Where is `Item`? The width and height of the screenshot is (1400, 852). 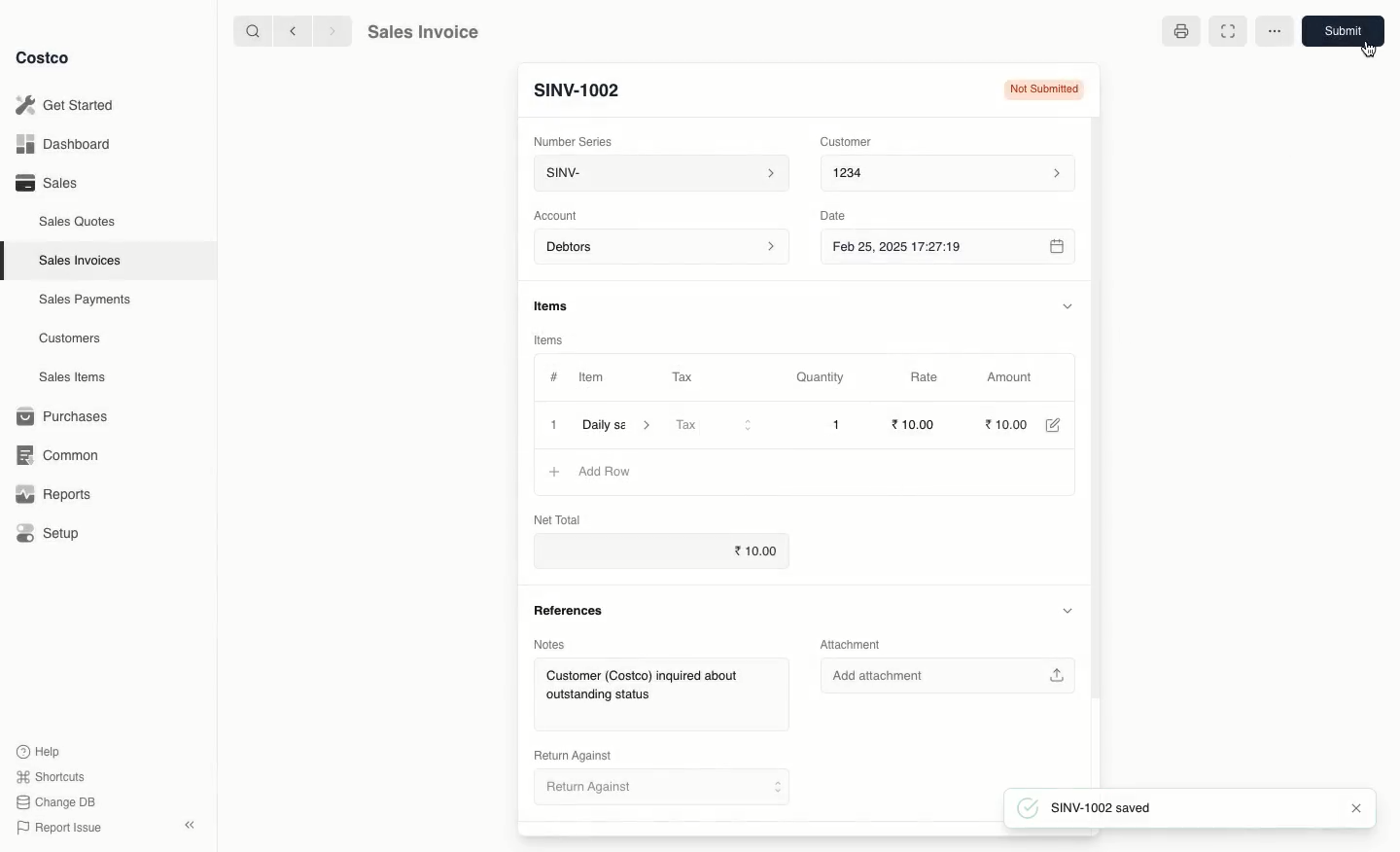 Item is located at coordinates (594, 377).